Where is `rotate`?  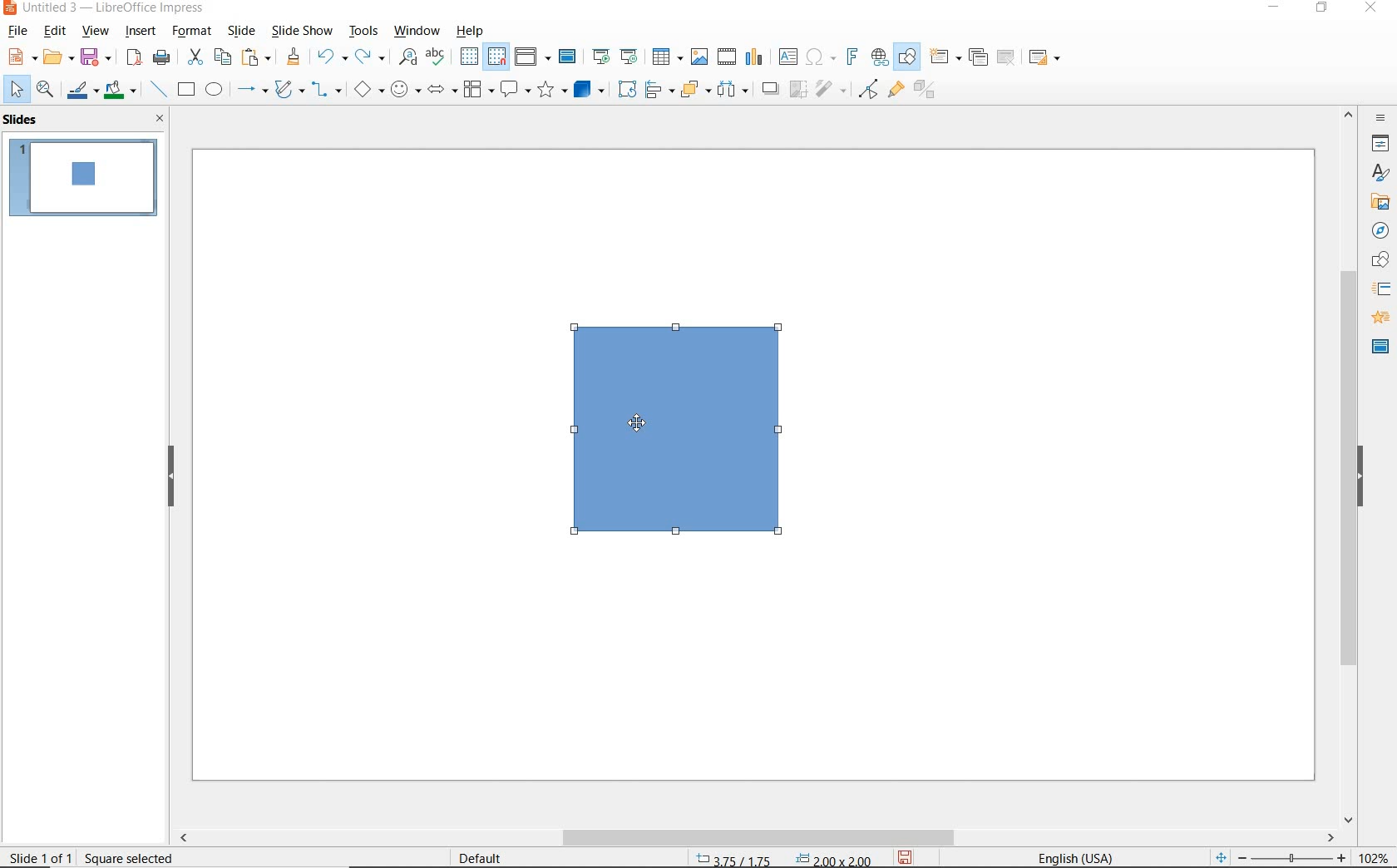
rotate is located at coordinates (626, 90).